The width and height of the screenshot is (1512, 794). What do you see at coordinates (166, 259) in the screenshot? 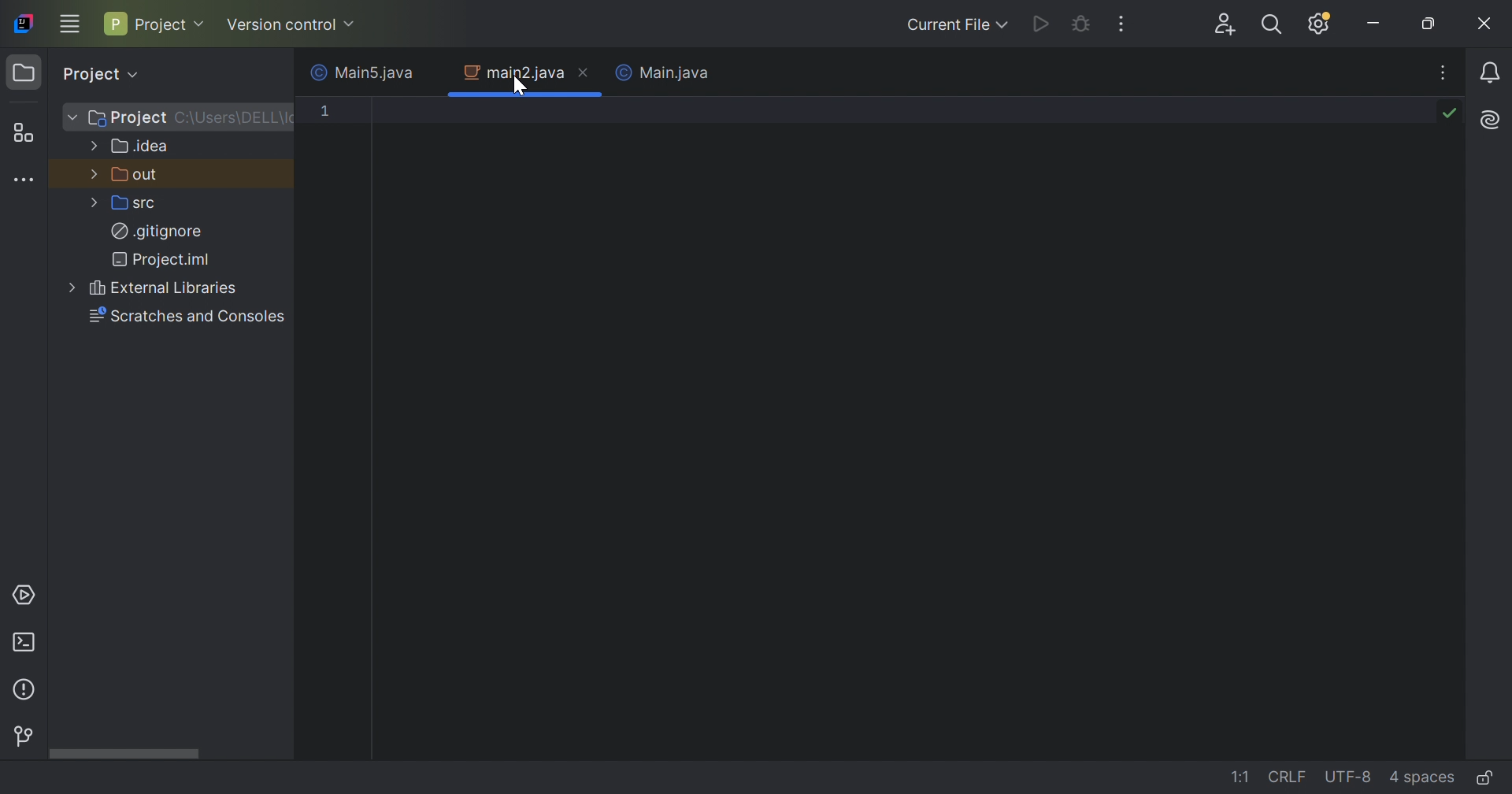
I see `Project.iml` at bounding box center [166, 259].